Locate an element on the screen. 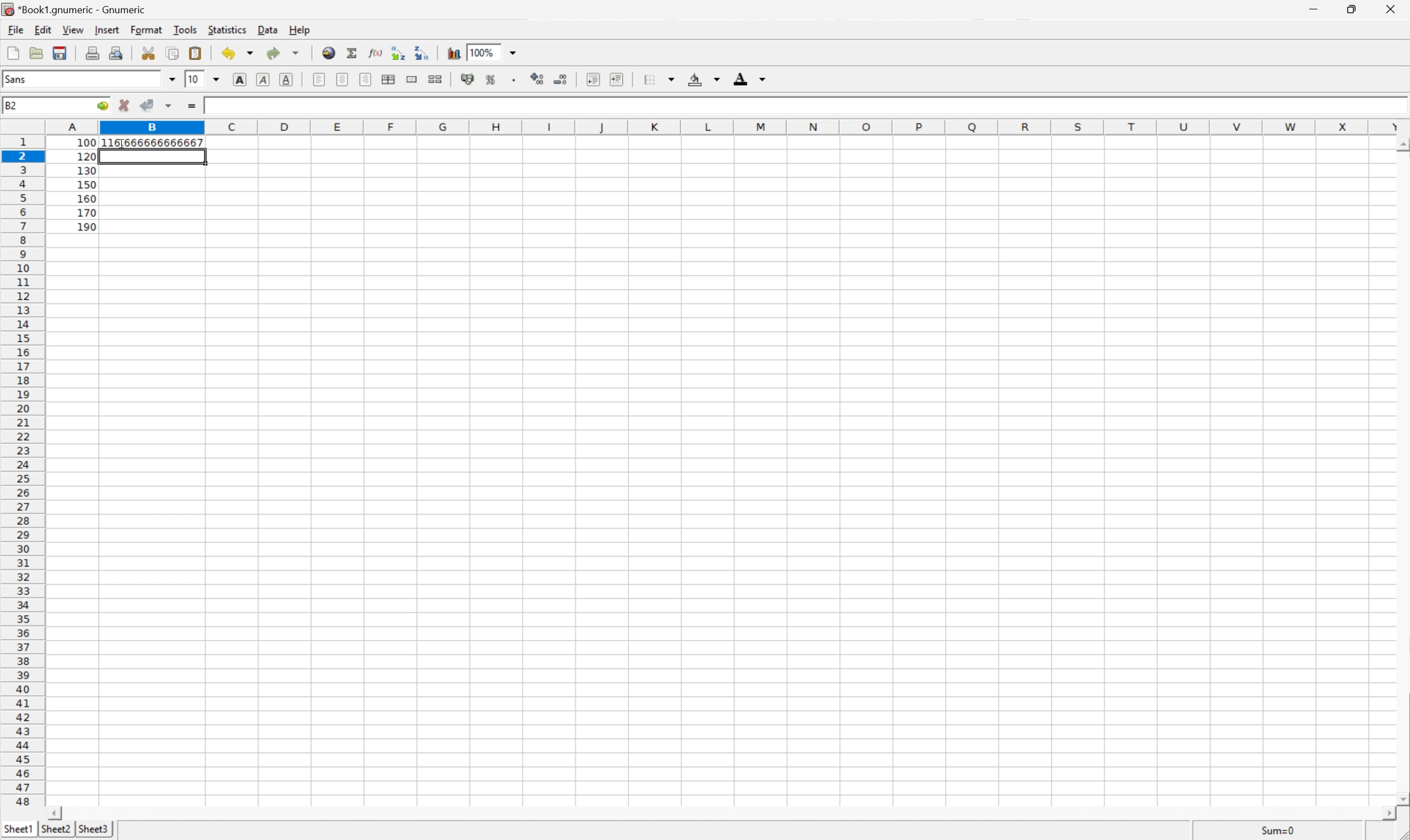 This screenshot has width=1410, height=840. Insert hyperlink is located at coordinates (327, 53).